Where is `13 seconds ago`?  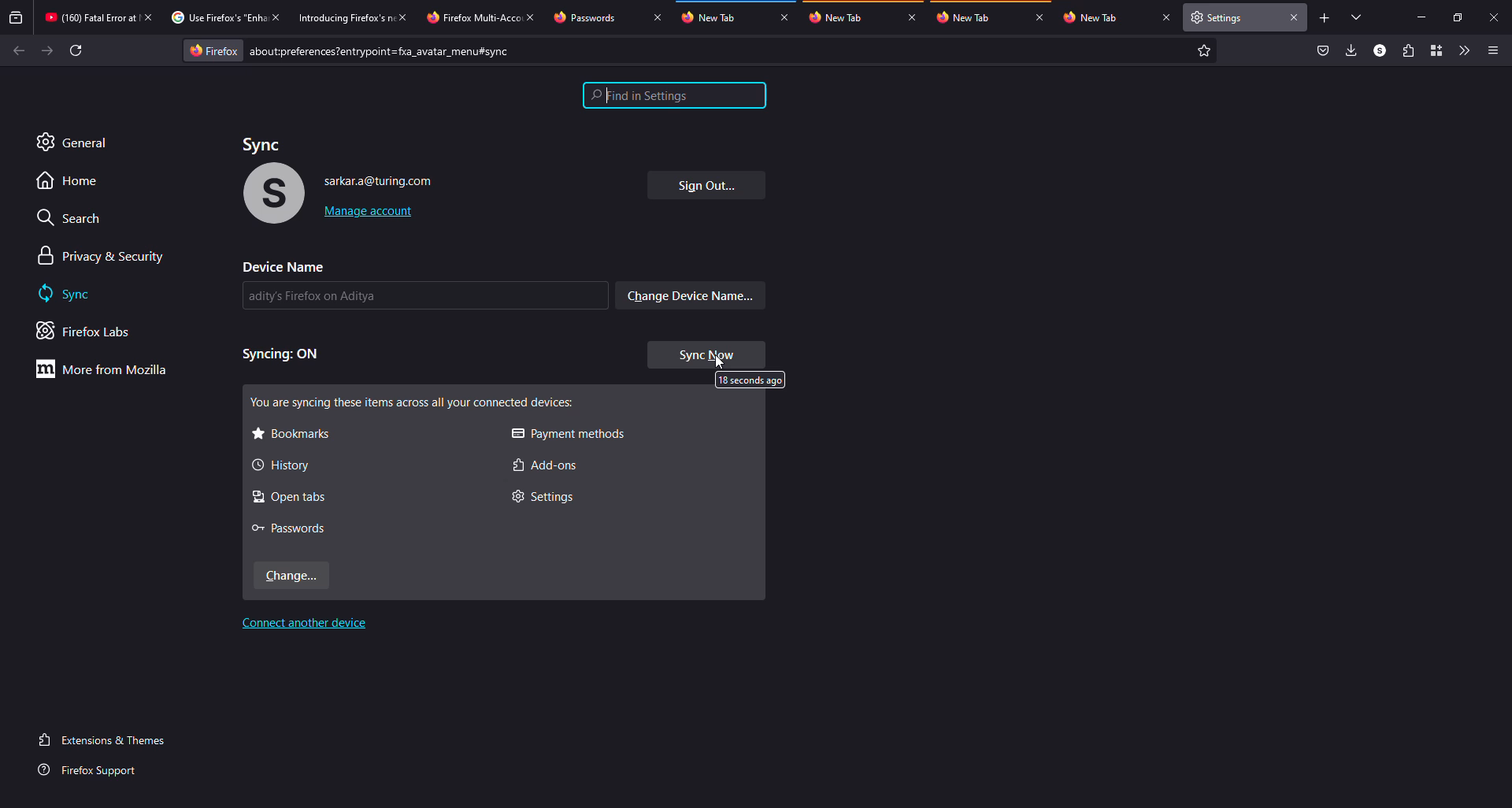 13 seconds ago is located at coordinates (749, 380).